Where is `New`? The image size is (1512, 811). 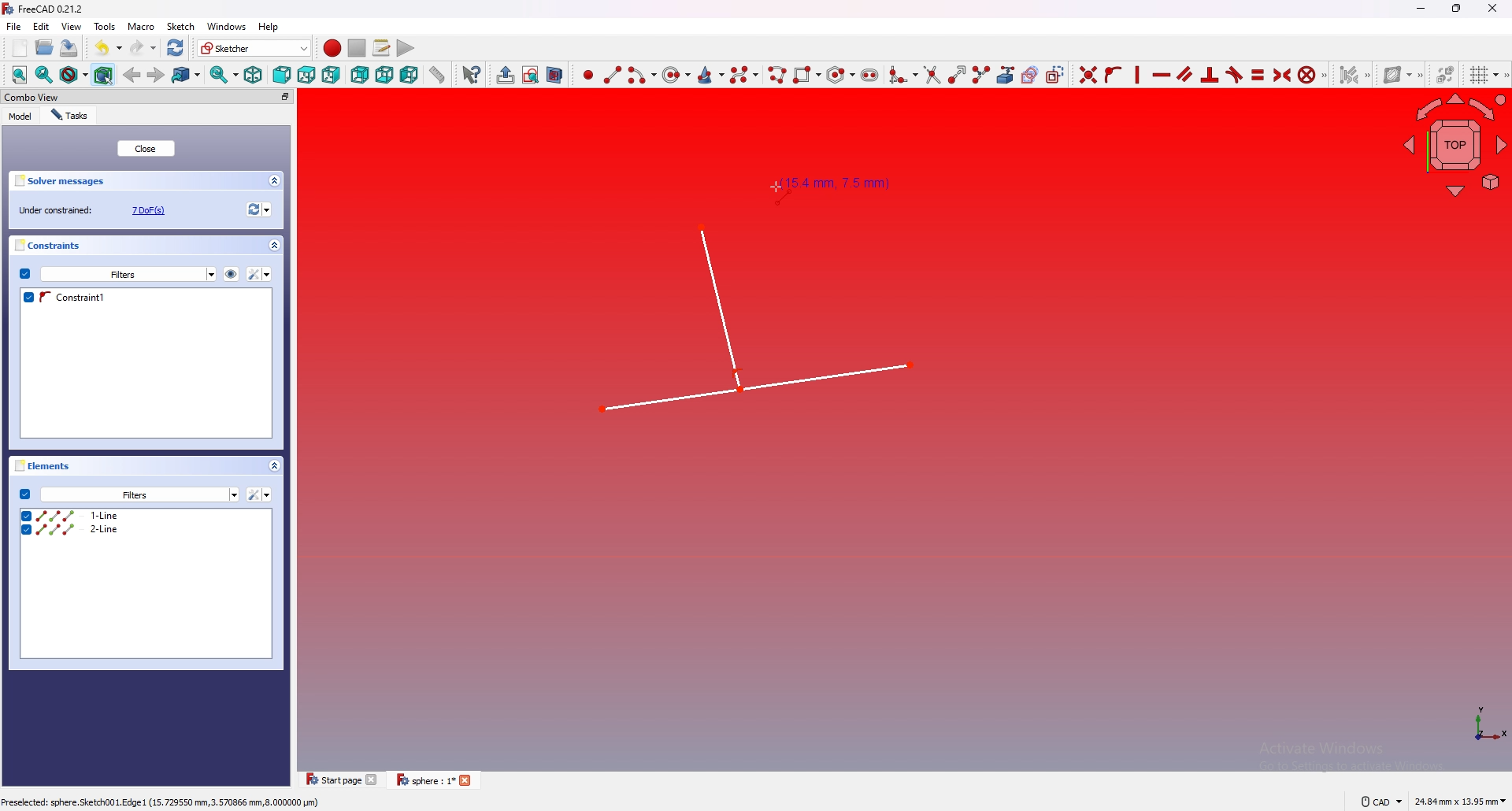 New is located at coordinates (21, 48).